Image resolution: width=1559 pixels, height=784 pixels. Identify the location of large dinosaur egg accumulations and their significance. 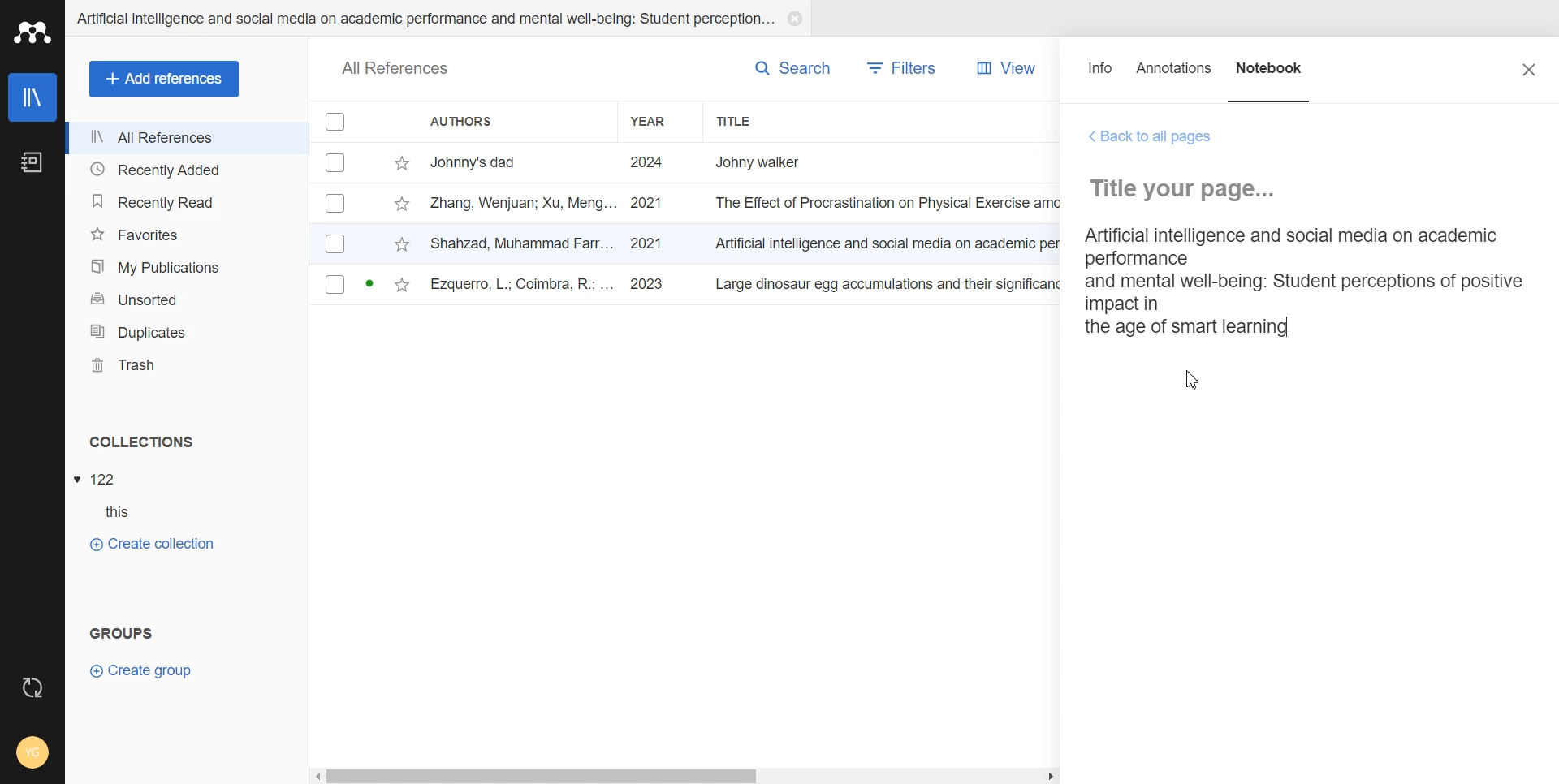
(892, 287).